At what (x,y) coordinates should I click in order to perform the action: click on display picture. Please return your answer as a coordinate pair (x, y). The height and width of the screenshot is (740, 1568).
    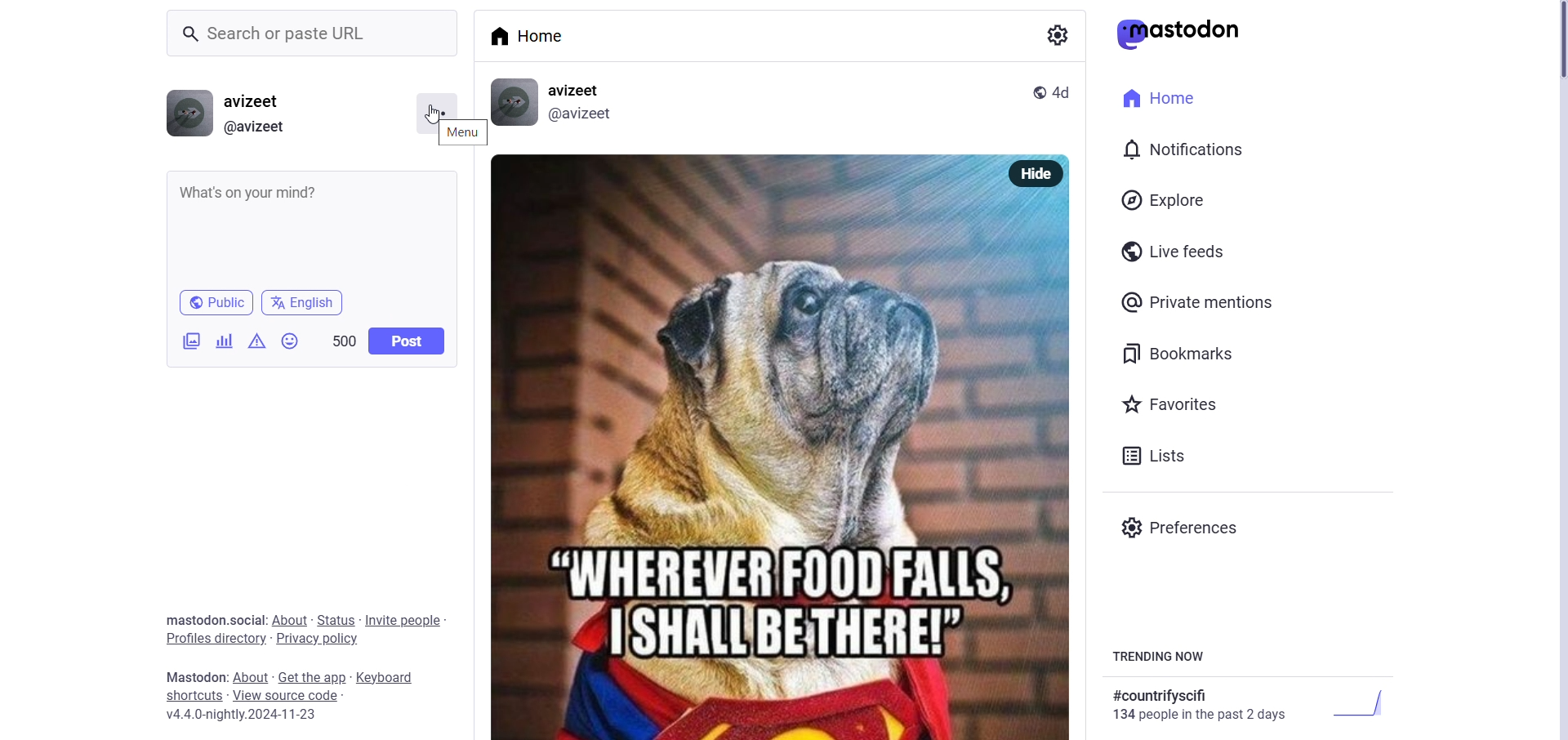
    Looking at the image, I should click on (514, 103).